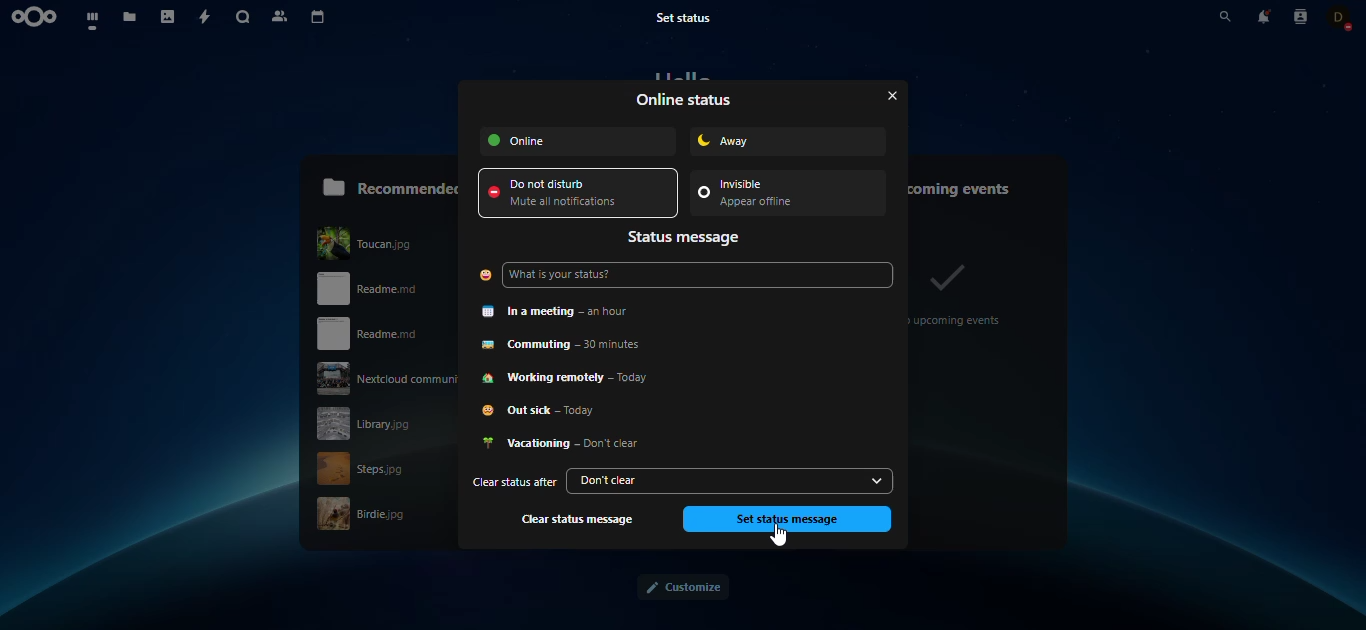  I want to click on in a meeting, so click(567, 310).